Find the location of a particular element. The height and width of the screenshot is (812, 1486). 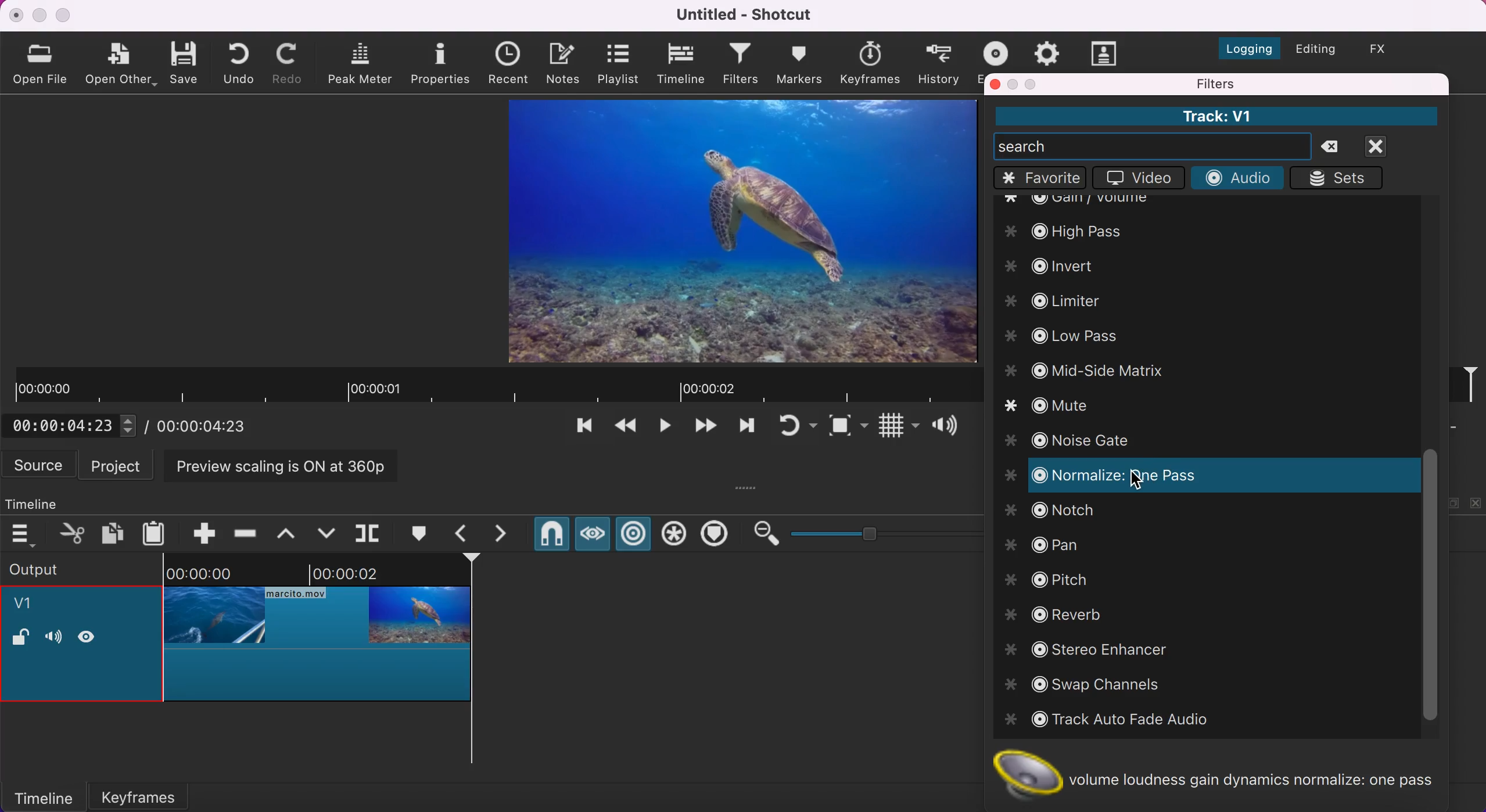

snap is located at coordinates (551, 536).